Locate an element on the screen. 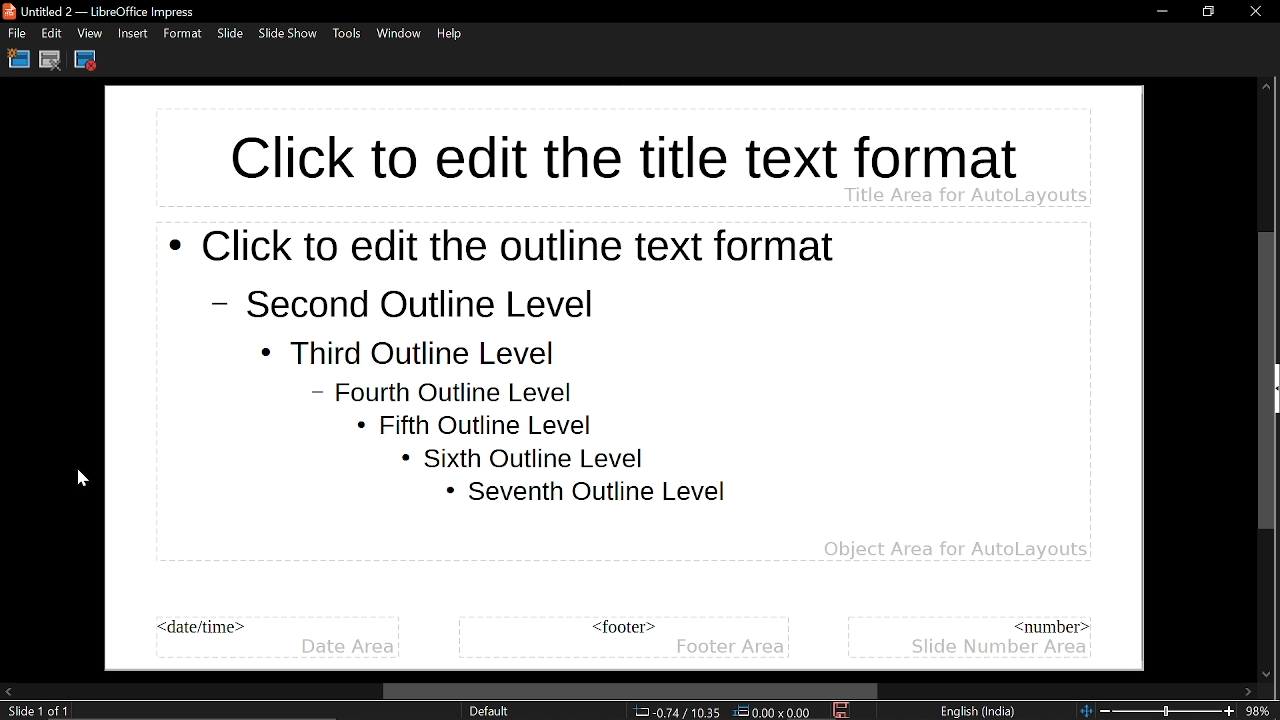  Minimize is located at coordinates (1160, 13).